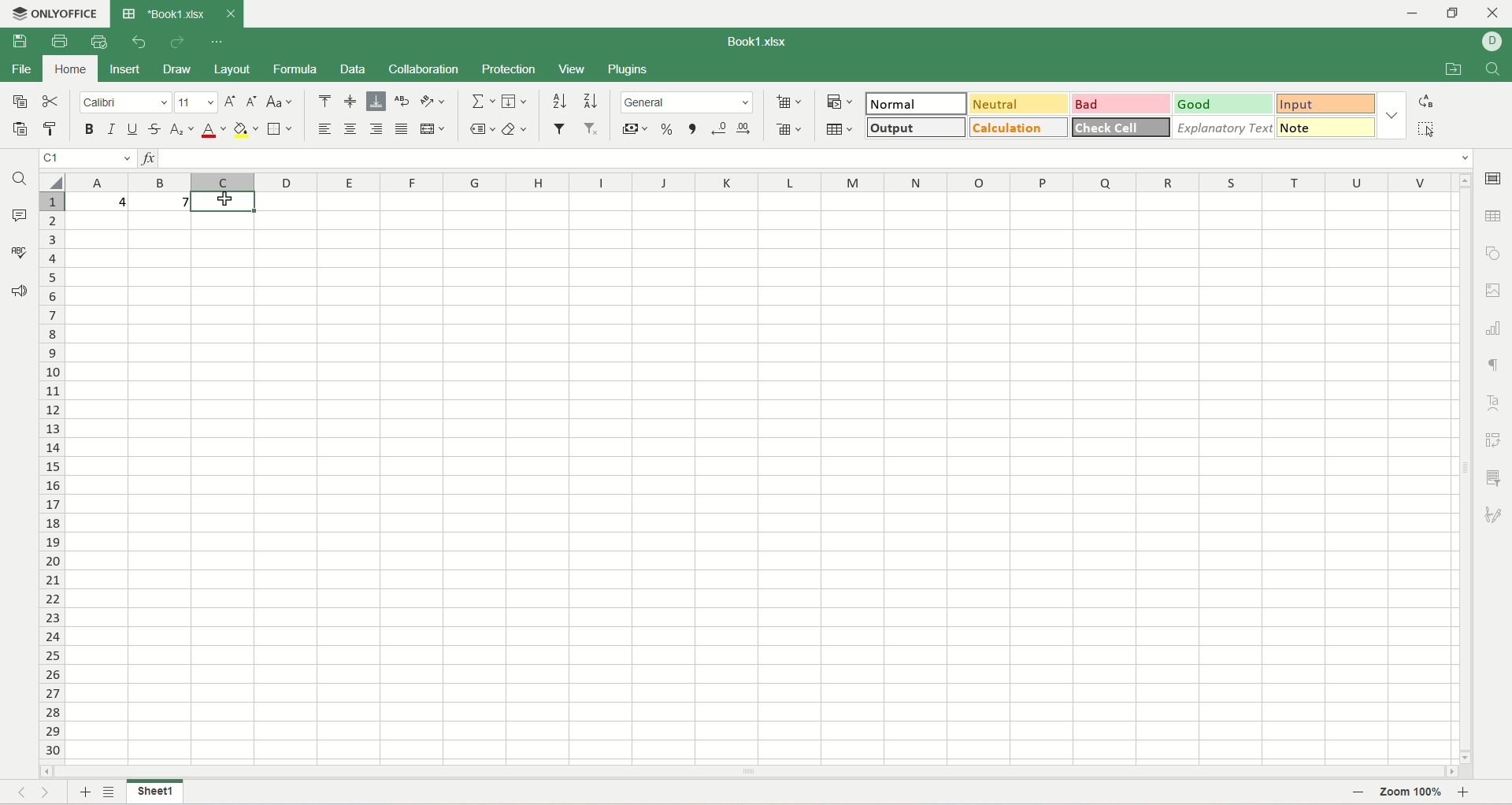 The image size is (1512, 805). What do you see at coordinates (402, 129) in the screenshot?
I see `justified` at bounding box center [402, 129].